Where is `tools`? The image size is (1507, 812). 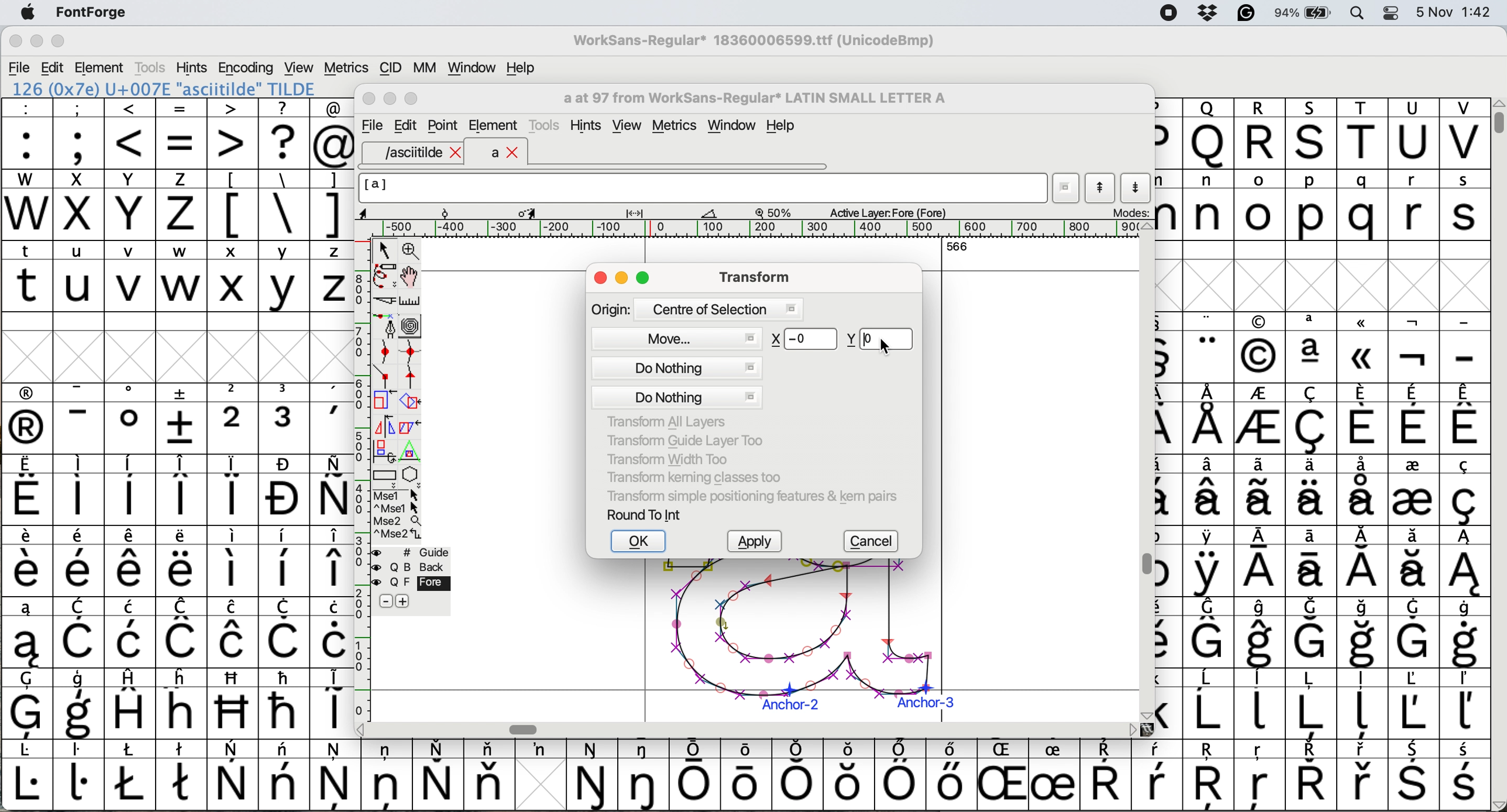
tools is located at coordinates (149, 67).